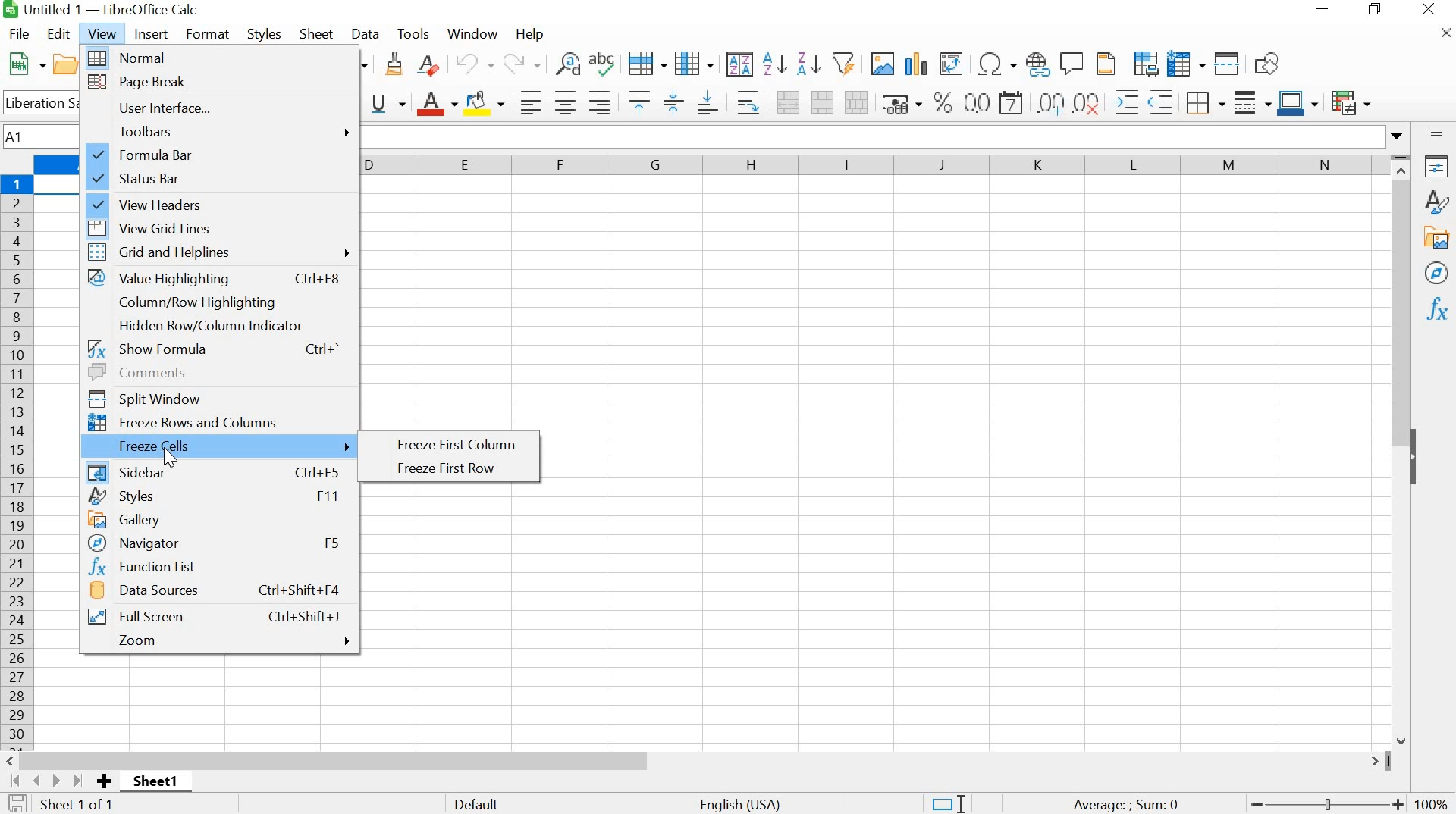 Image resolution: width=1456 pixels, height=814 pixels. I want to click on DATA SOURCES, so click(218, 593).